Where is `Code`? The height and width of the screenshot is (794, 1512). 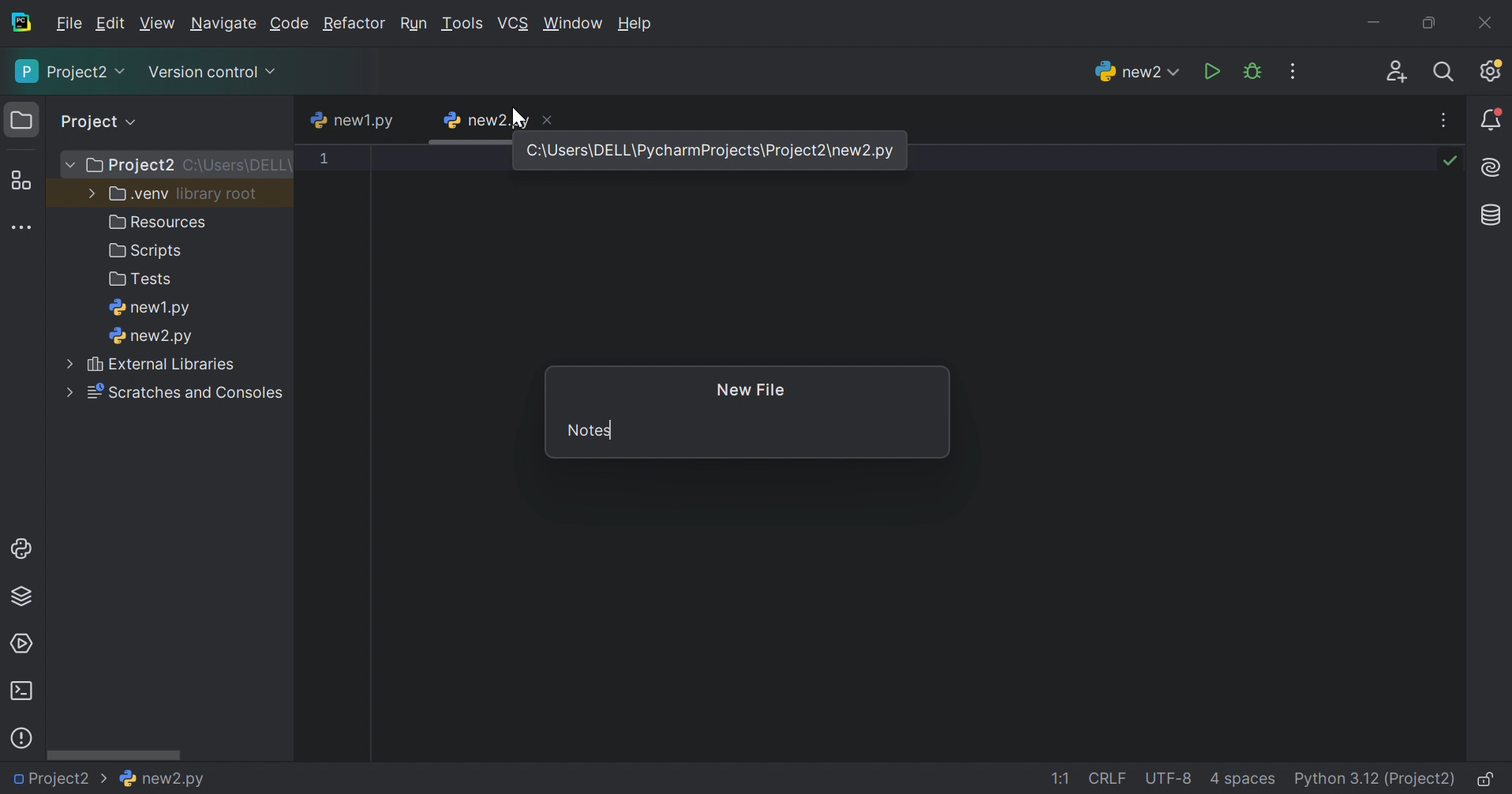 Code is located at coordinates (290, 24).